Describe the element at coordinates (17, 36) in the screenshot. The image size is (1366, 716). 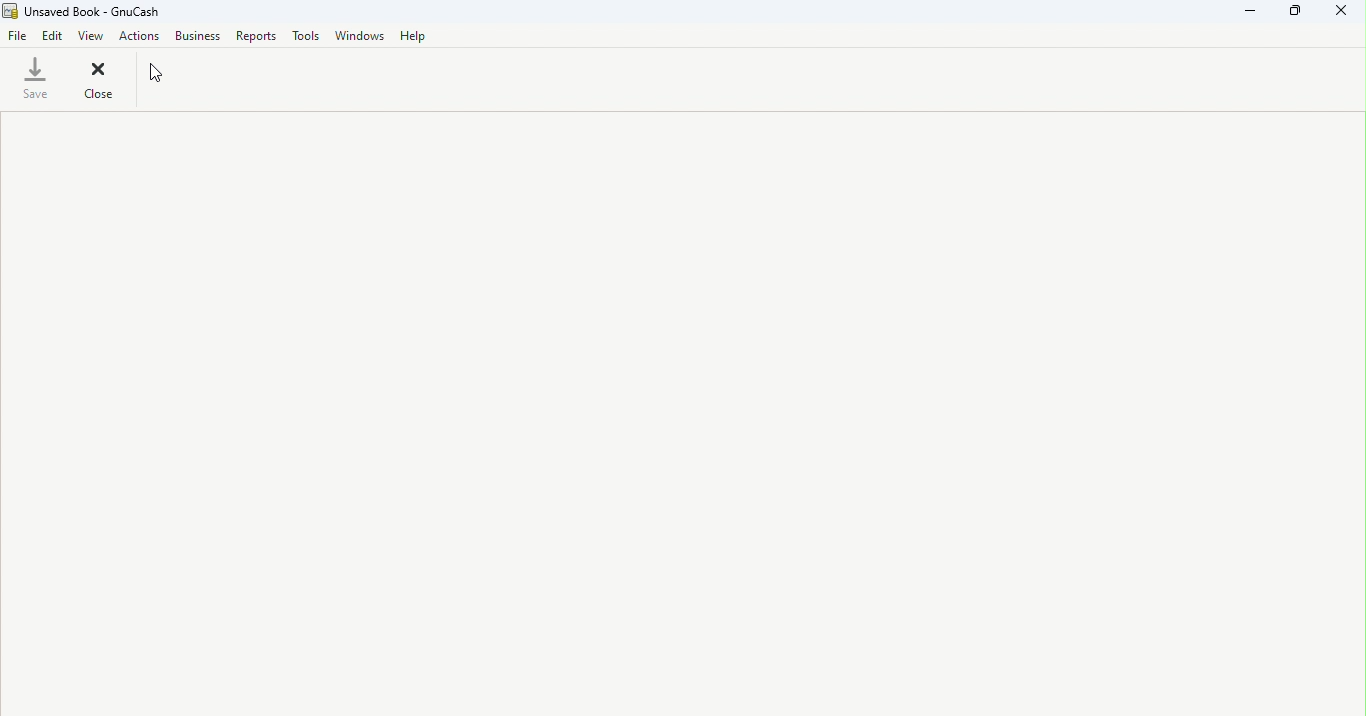
I see `file` at that location.